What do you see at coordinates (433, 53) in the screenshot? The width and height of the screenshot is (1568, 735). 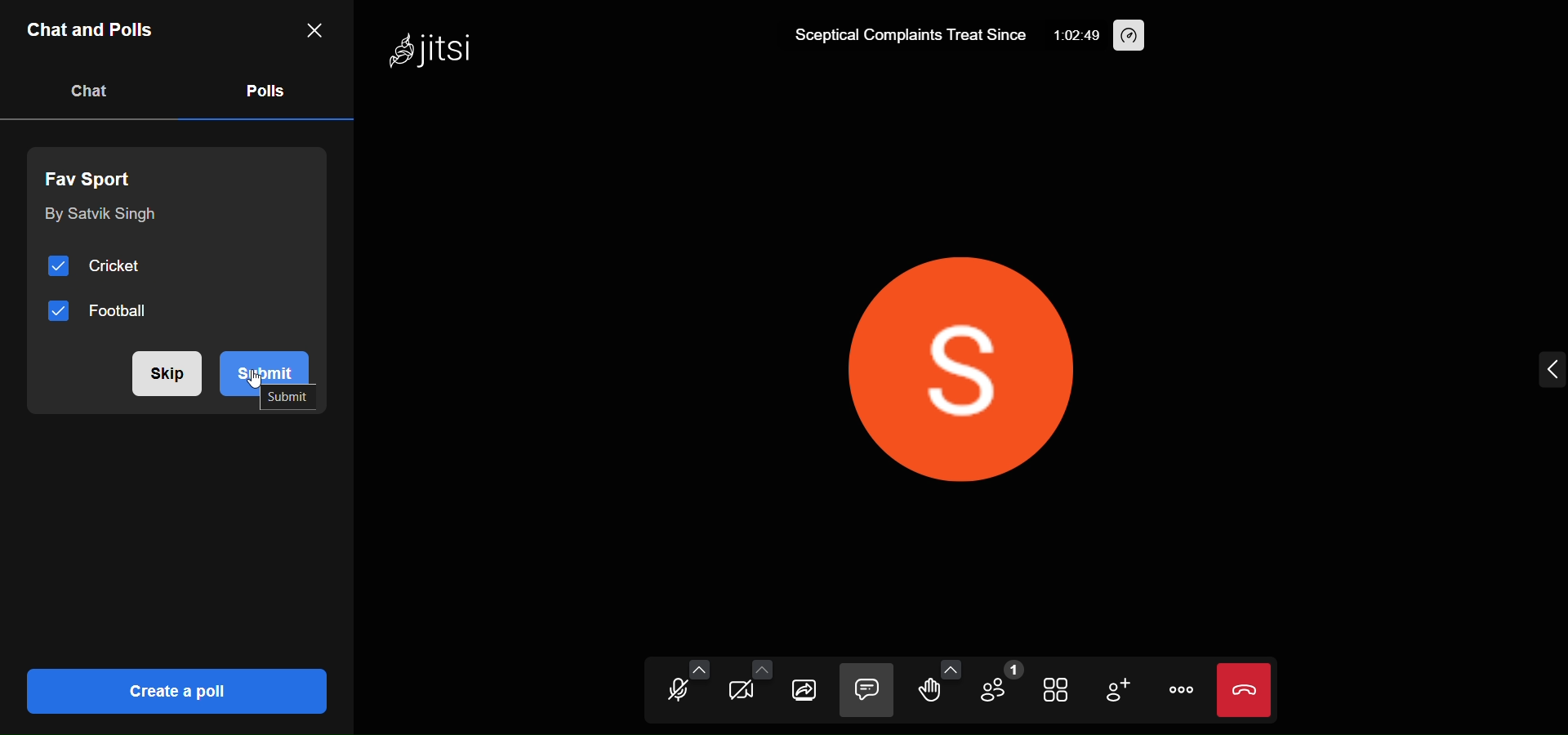 I see `Jitsi` at bounding box center [433, 53].